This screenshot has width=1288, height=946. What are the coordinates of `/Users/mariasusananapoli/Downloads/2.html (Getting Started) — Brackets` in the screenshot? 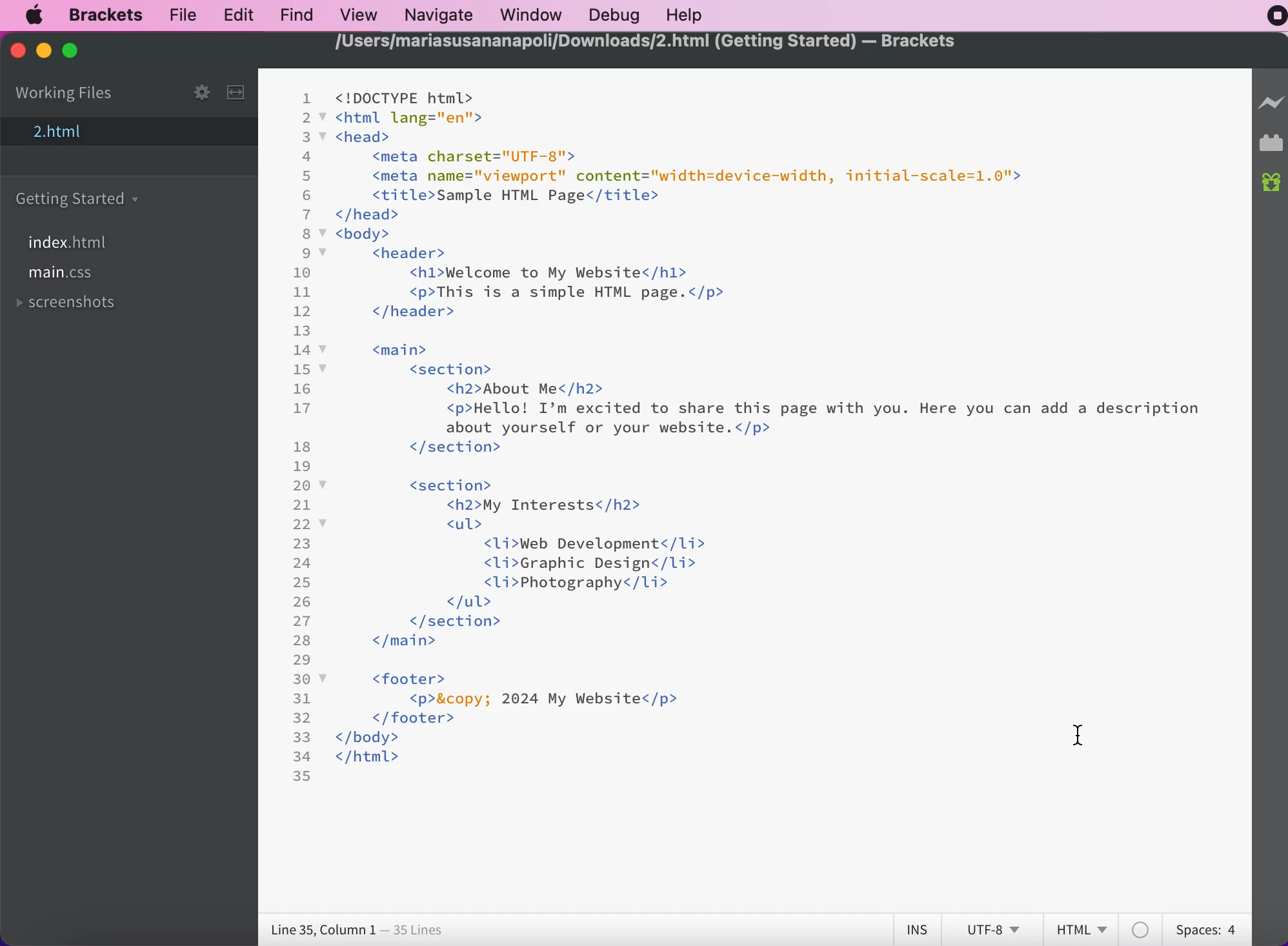 It's located at (647, 41).